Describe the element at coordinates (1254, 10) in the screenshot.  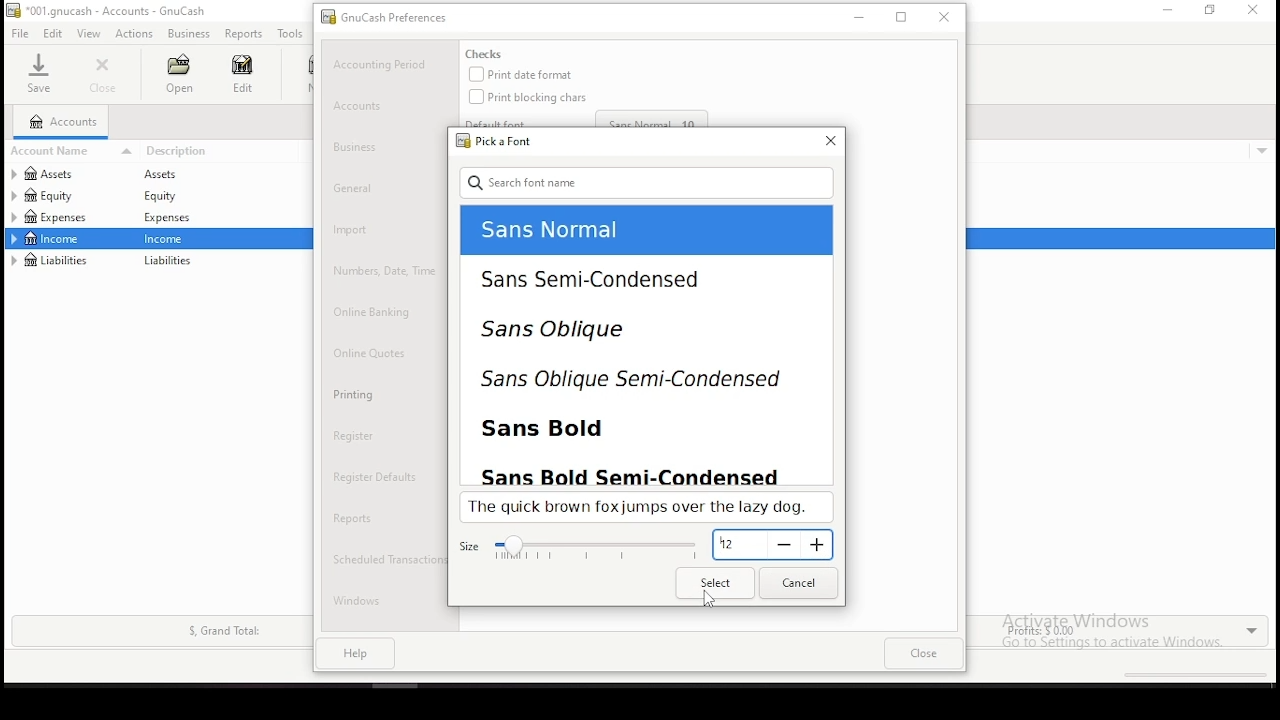
I see `close window` at that location.